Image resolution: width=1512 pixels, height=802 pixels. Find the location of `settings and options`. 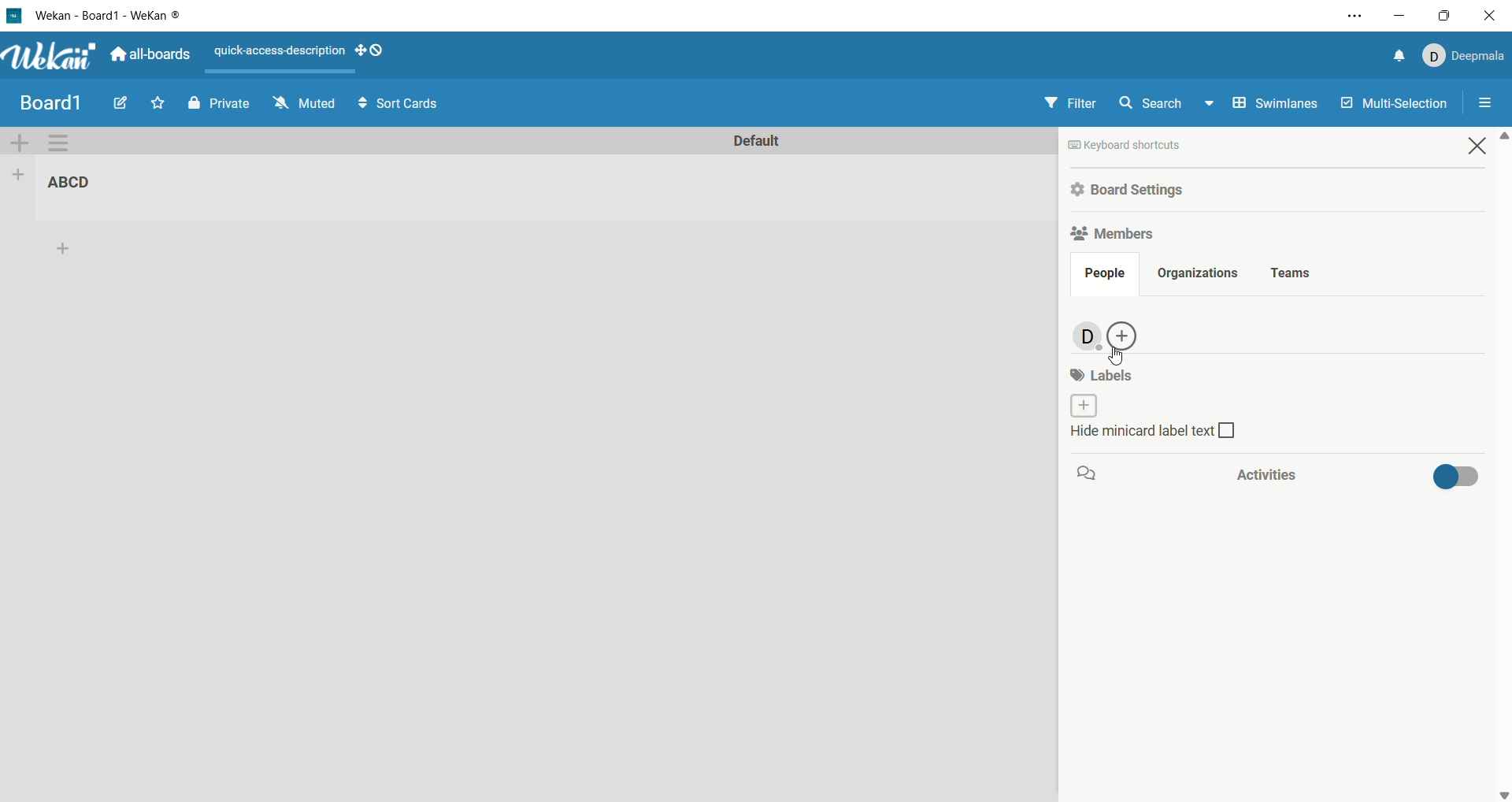

settings and options is located at coordinates (1355, 17).